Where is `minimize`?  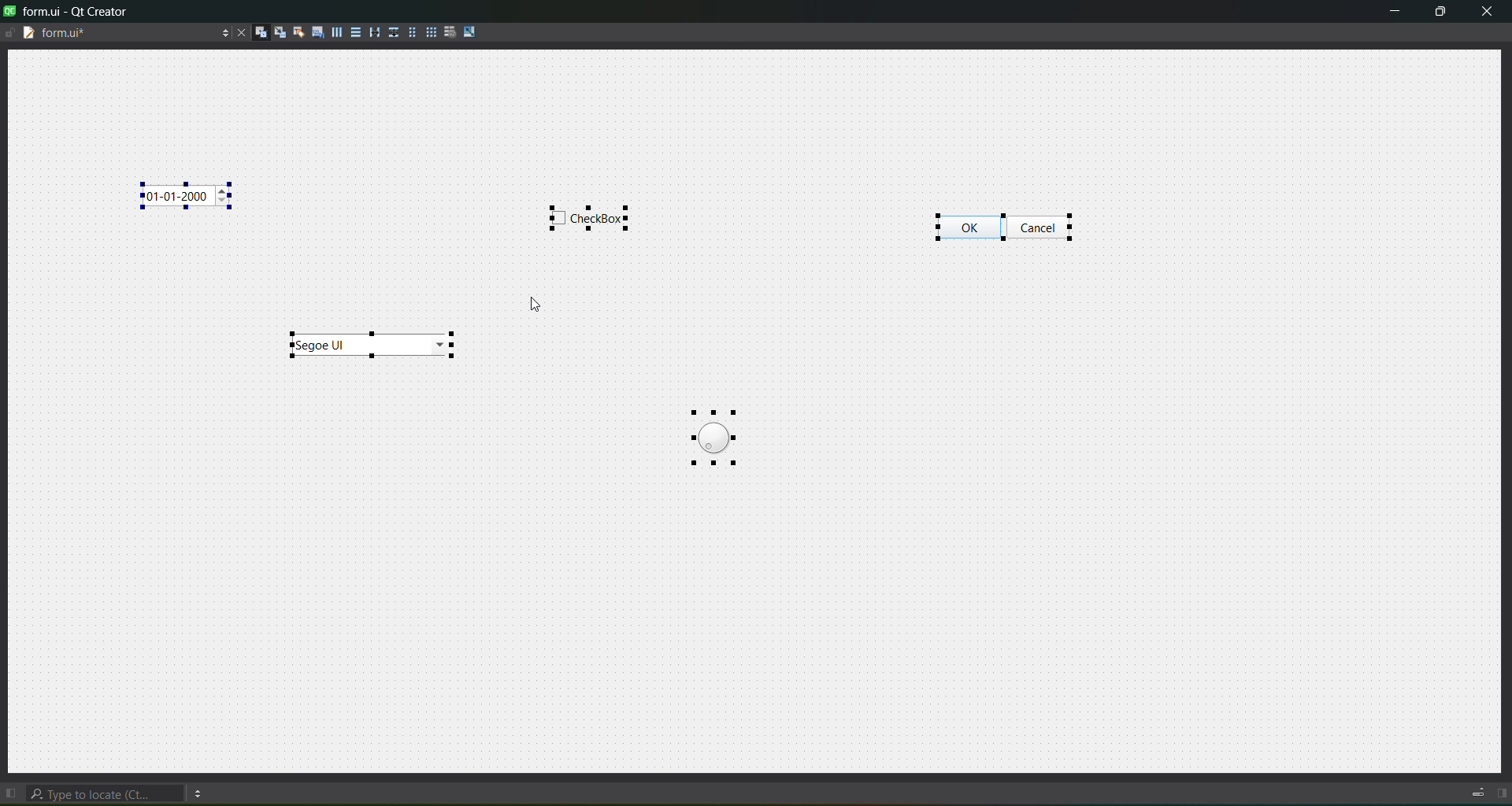 minimize is located at coordinates (1392, 10).